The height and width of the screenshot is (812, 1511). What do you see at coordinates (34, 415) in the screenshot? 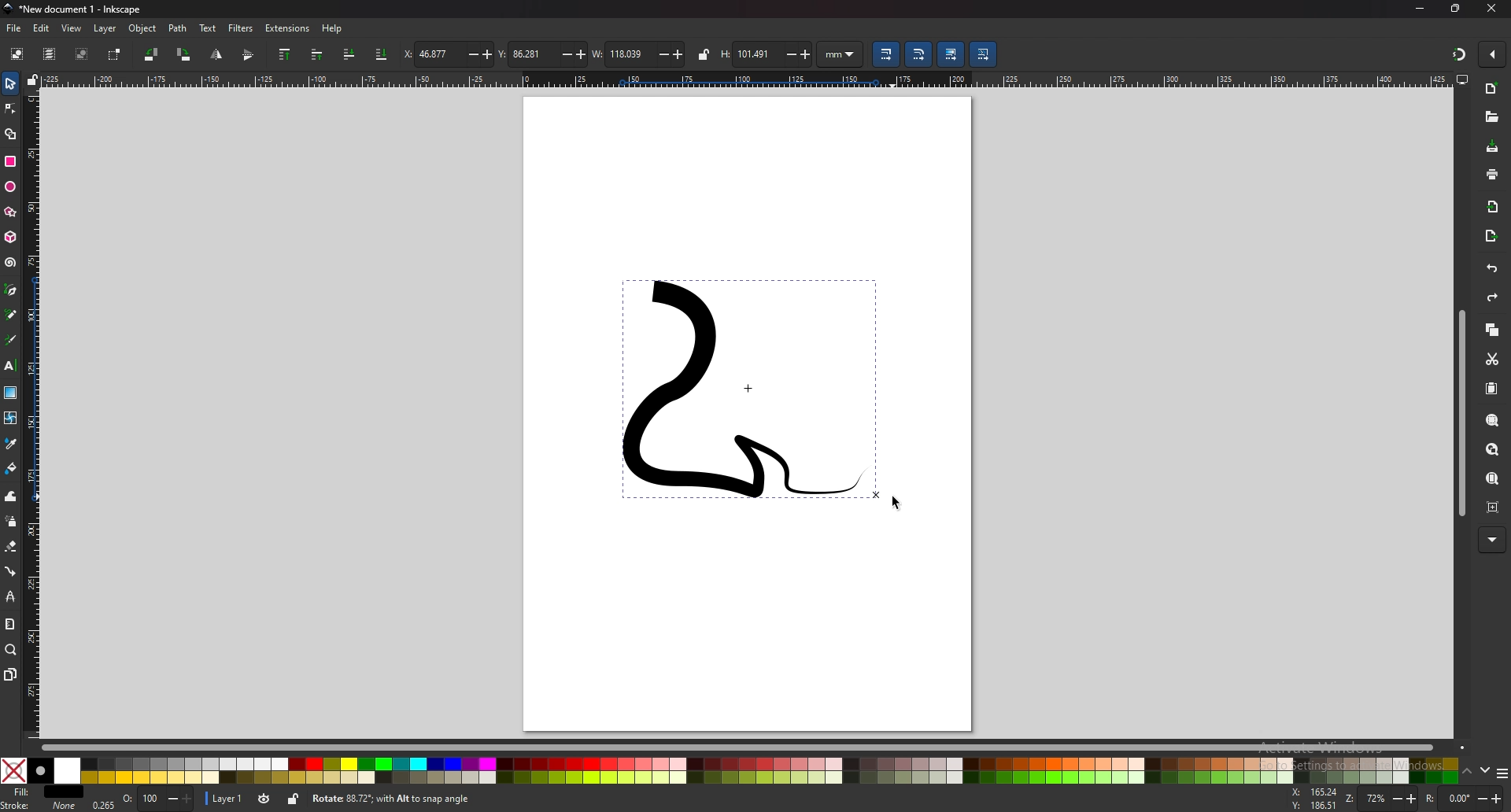
I see `vertical ruler` at bounding box center [34, 415].